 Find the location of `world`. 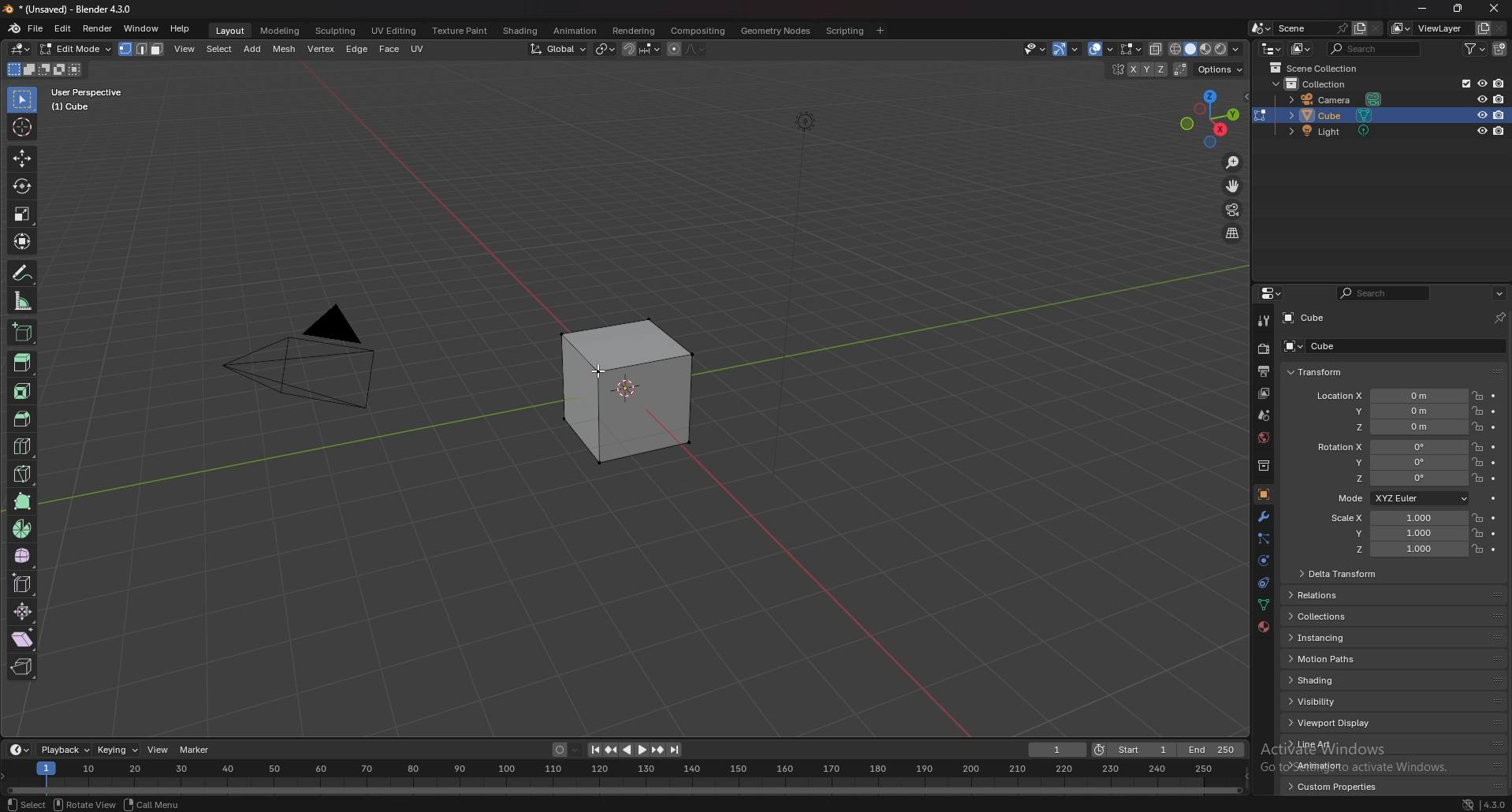

world is located at coordinates (1264, 438).